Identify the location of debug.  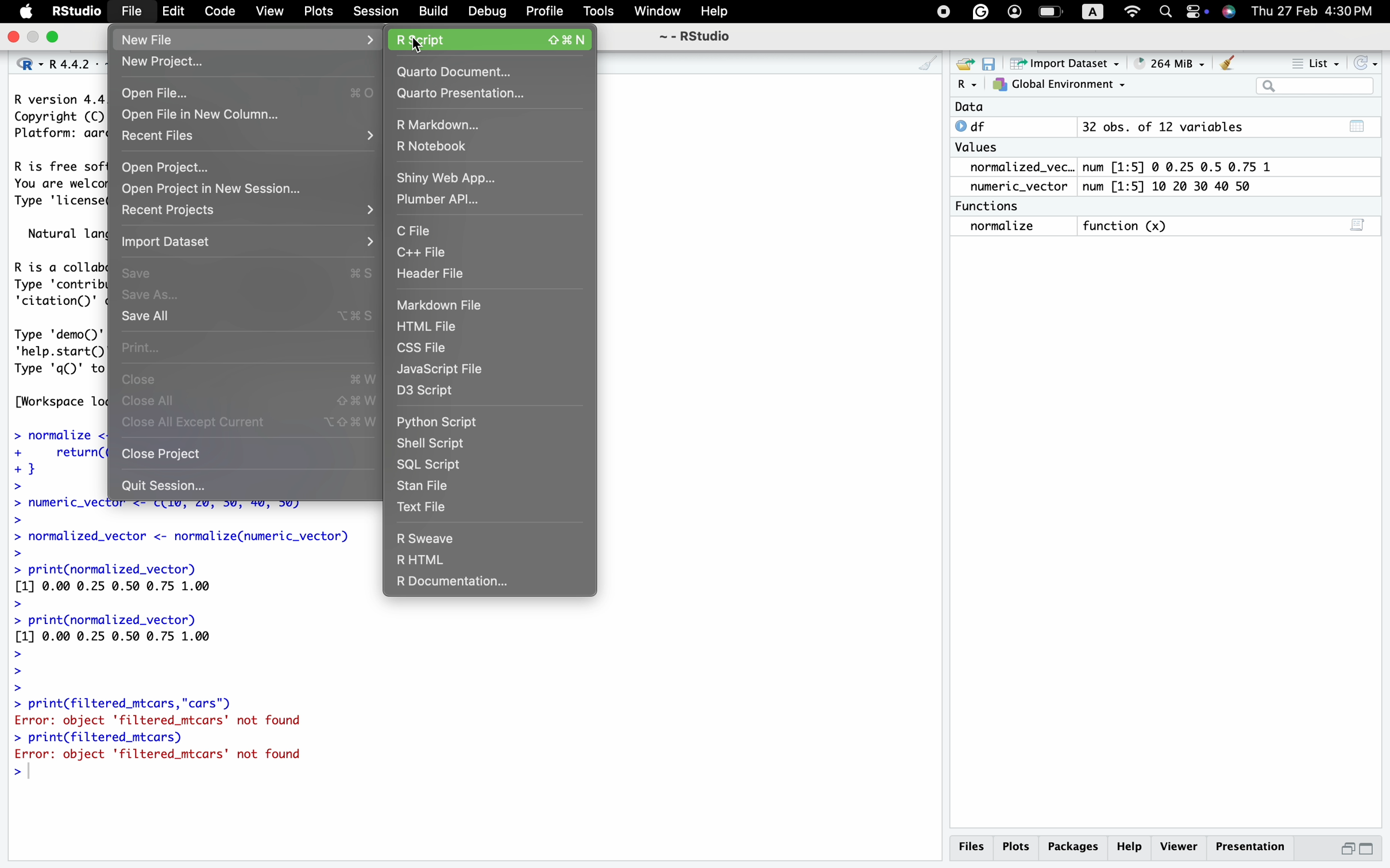
(486, 11).